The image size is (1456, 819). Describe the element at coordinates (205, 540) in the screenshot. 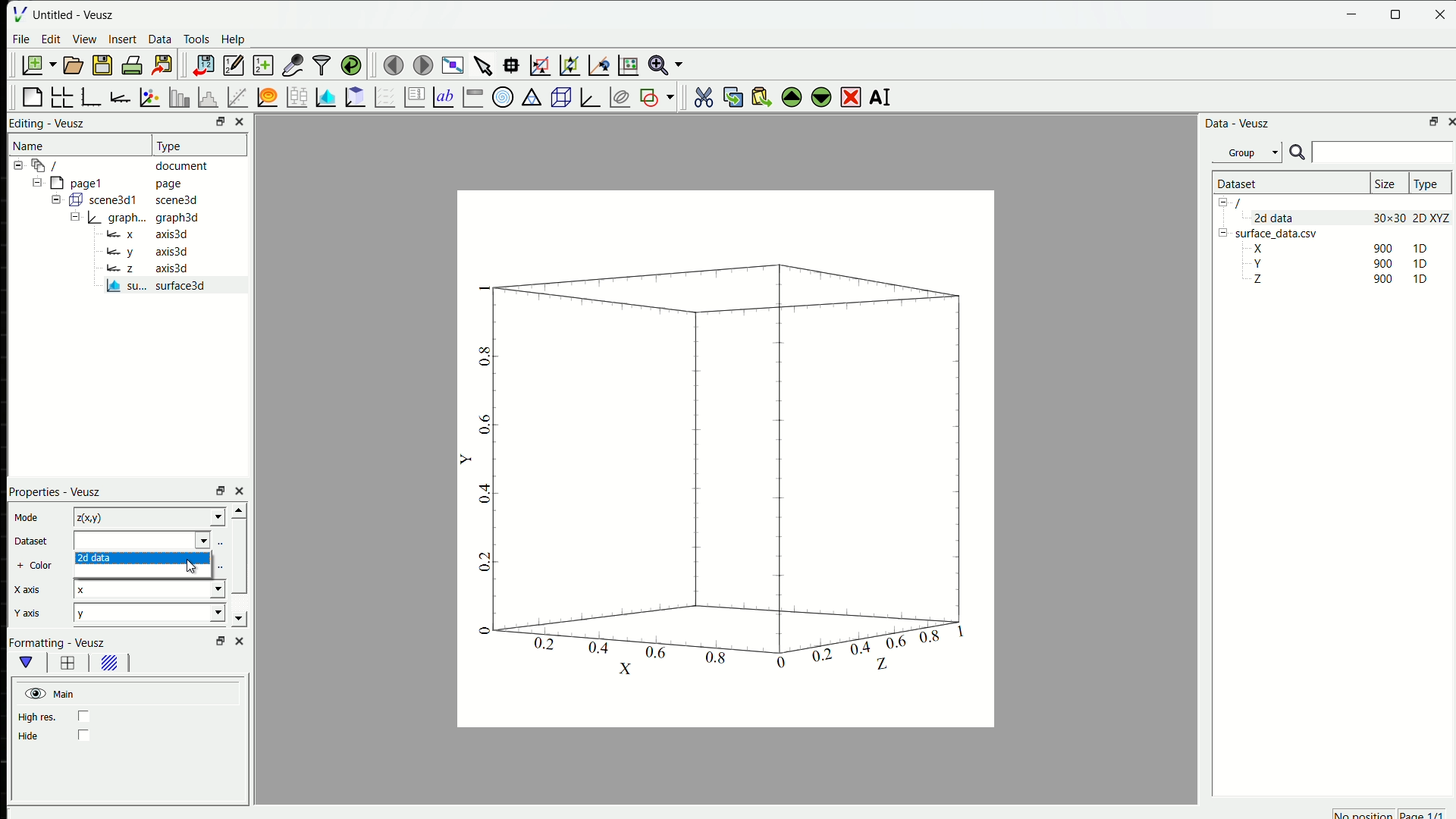

I see `Drop-down ` at that location.